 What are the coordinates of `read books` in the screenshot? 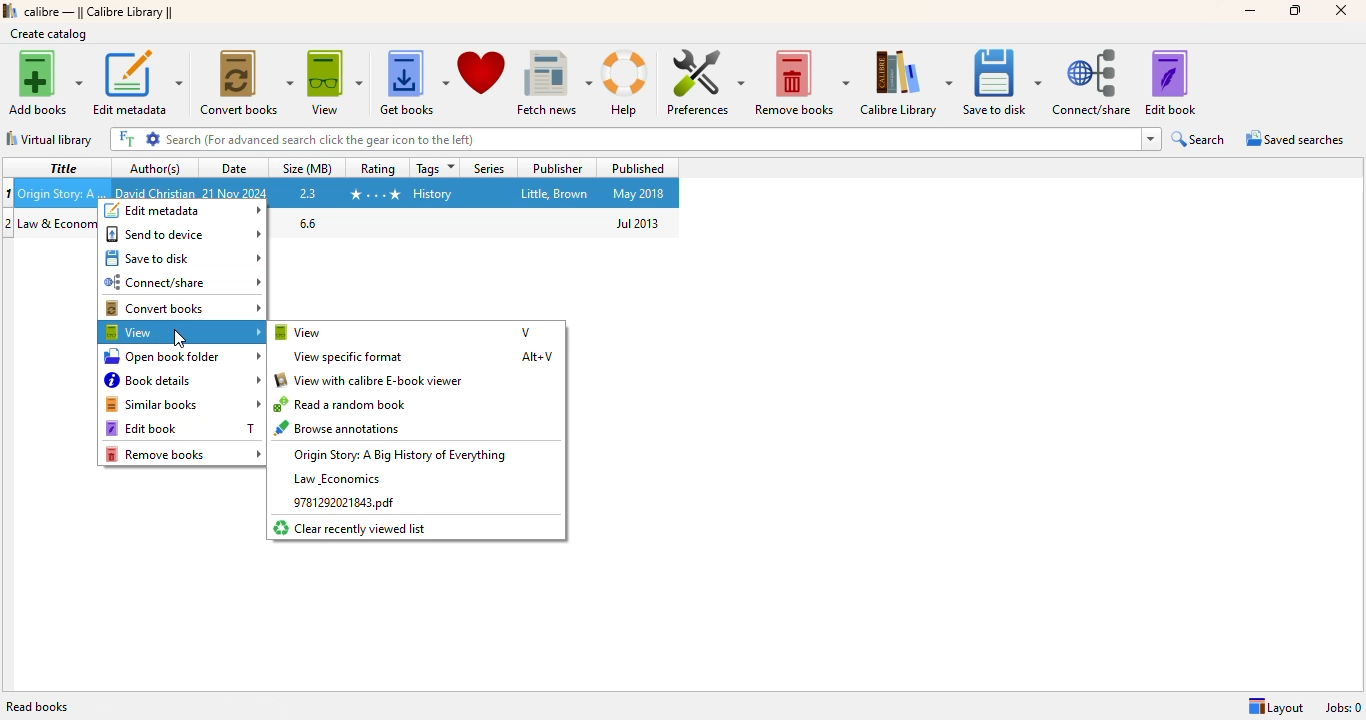 It's located at (38, 707).